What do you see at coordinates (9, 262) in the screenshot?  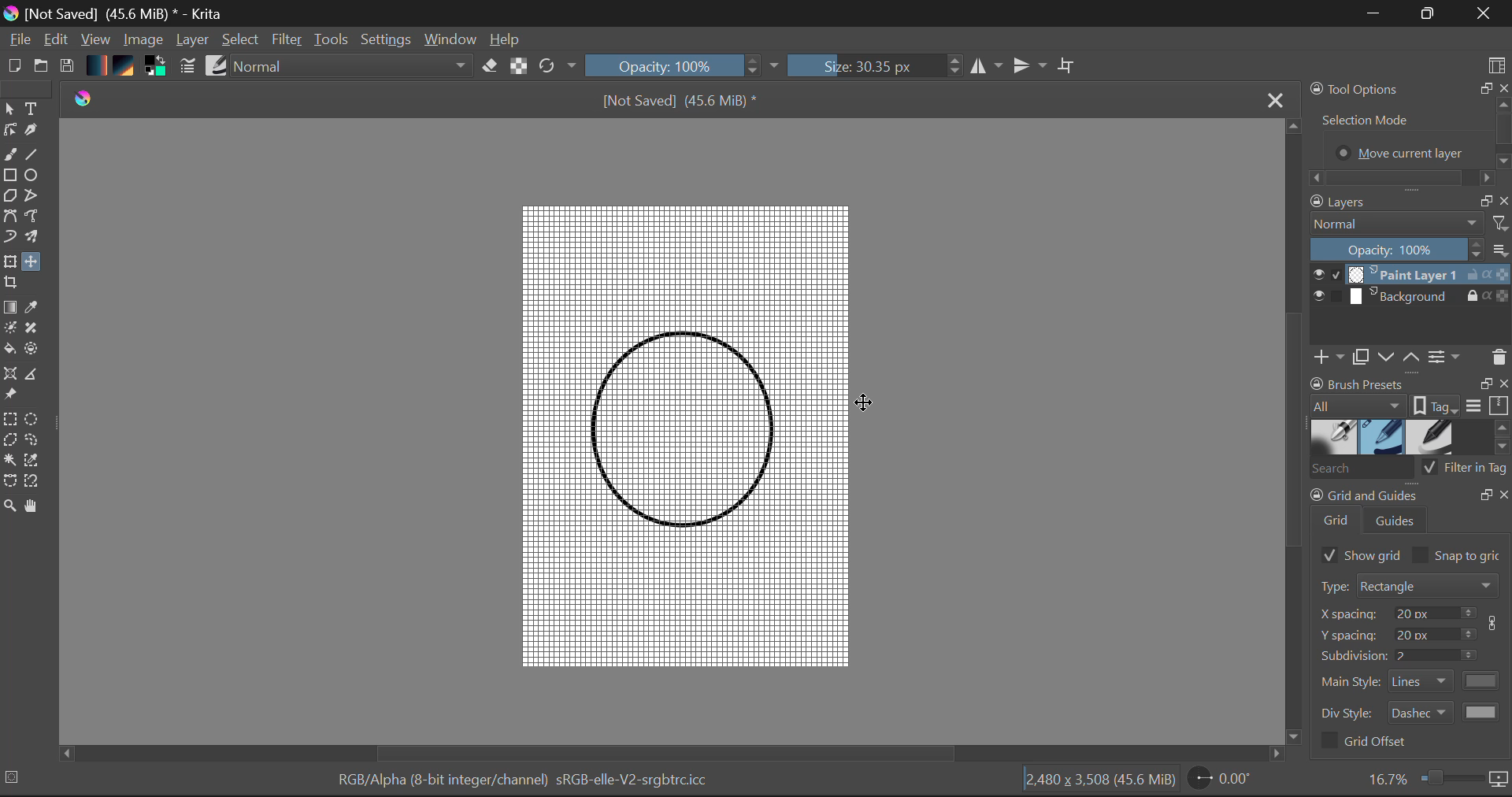 I see `Transform Layer` at bounding box center [9, 262].